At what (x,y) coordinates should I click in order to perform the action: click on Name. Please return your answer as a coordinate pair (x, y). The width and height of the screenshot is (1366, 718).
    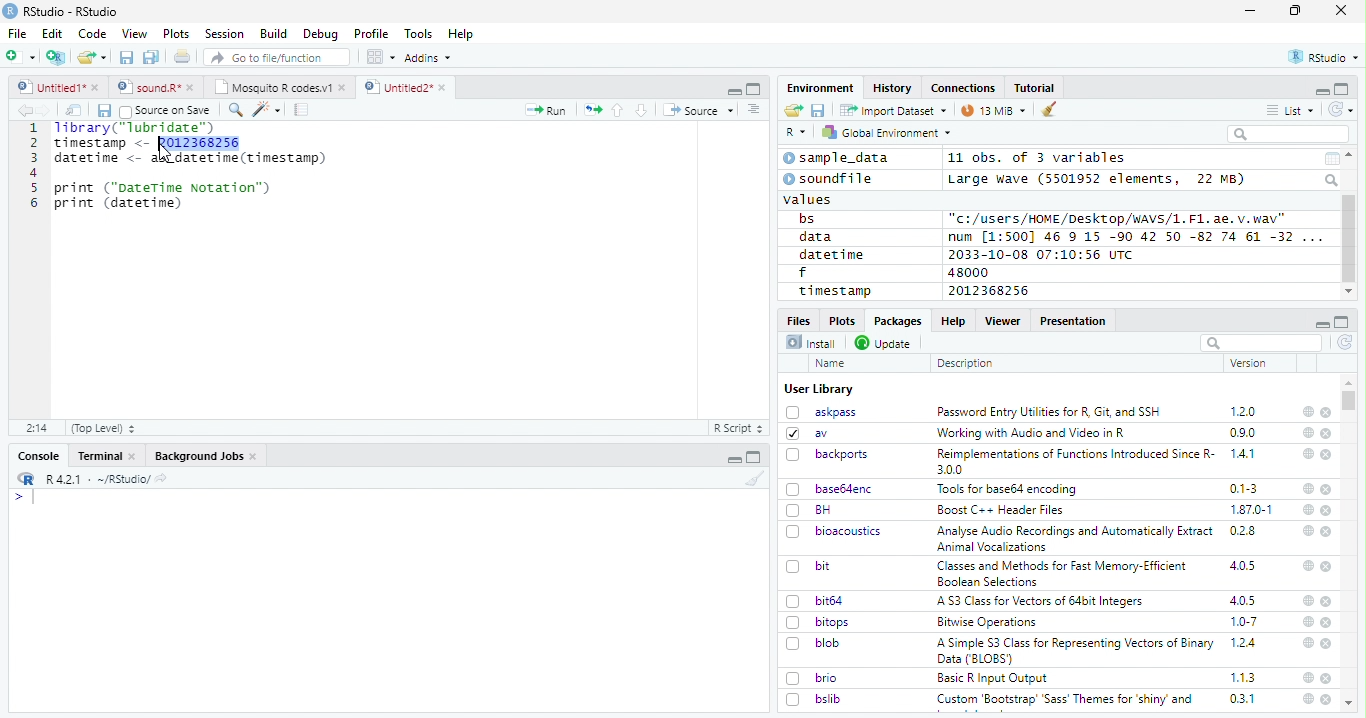
    Looking at the image, I should click on (832, 364).